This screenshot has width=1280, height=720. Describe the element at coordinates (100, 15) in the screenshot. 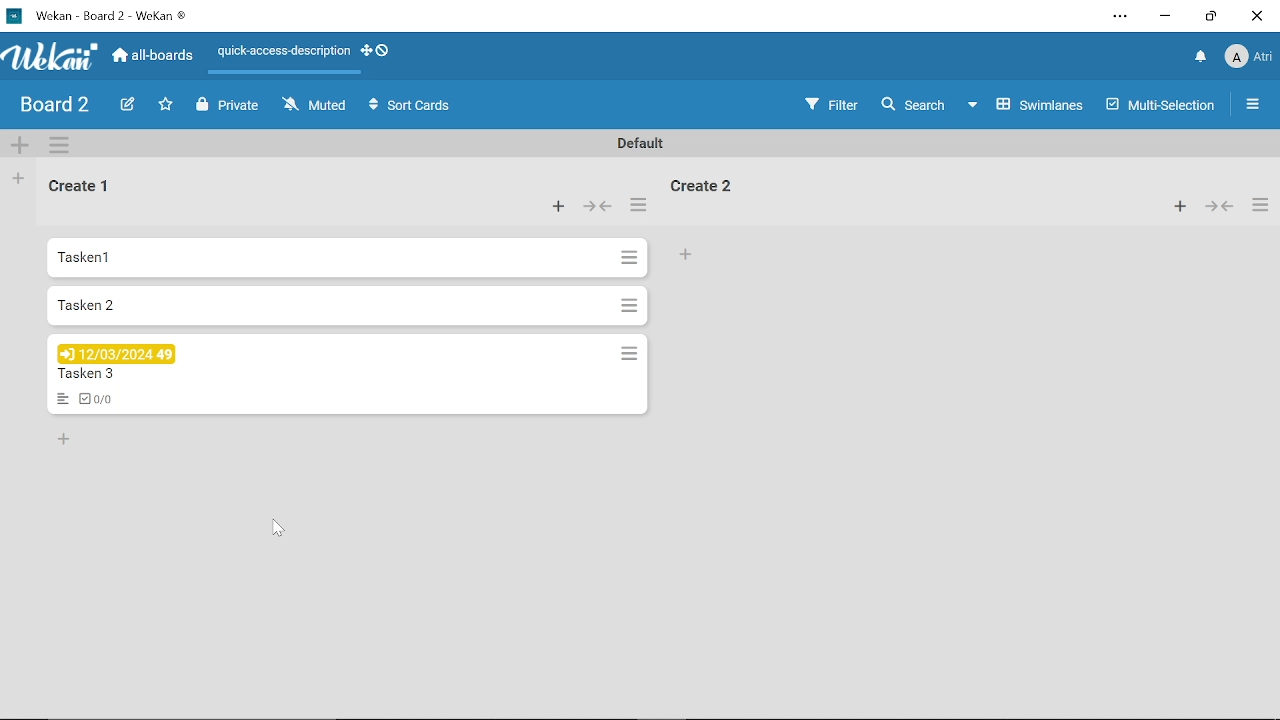

I see `Wekan - Board 2 -WeKan` at that location.